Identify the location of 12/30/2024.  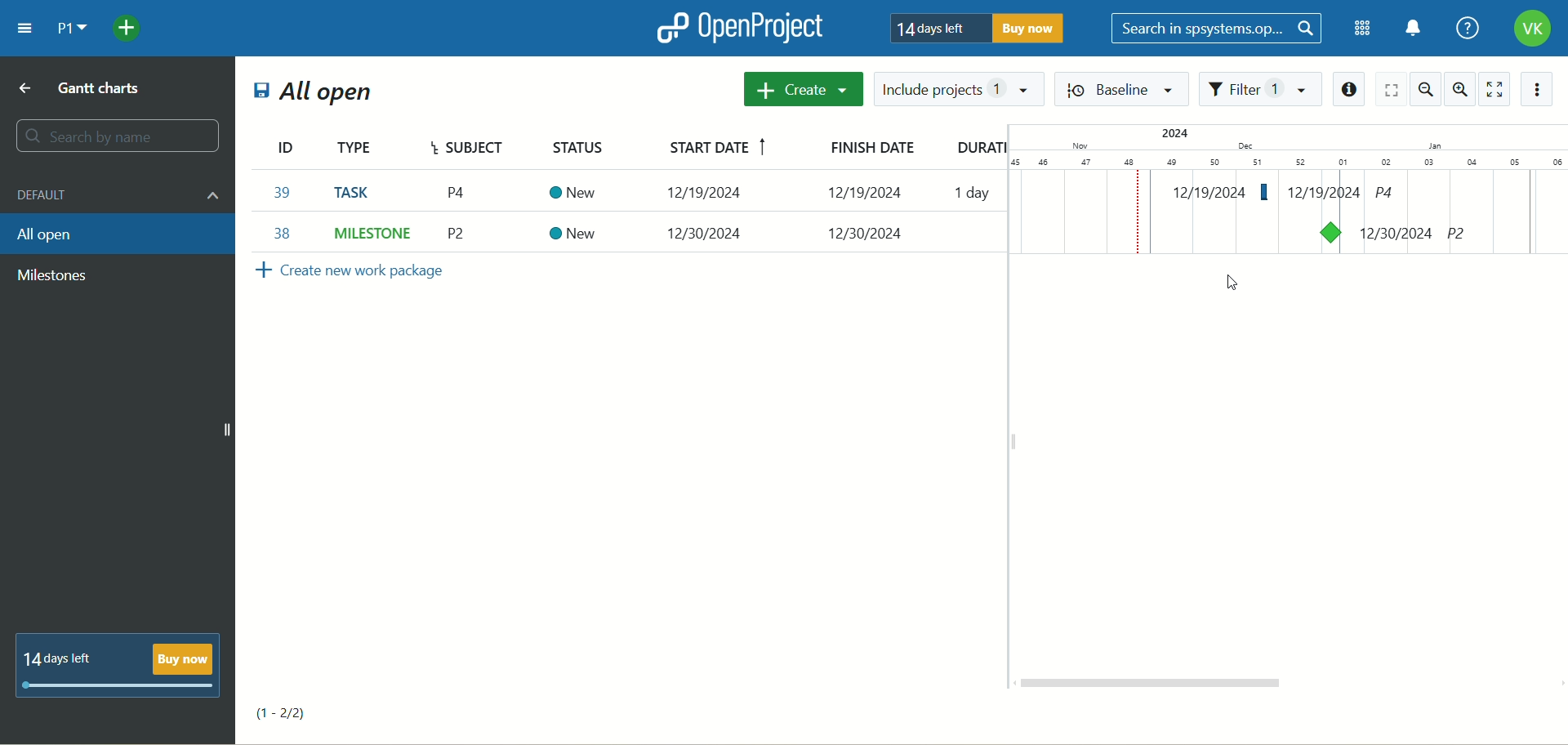
(714, 193).